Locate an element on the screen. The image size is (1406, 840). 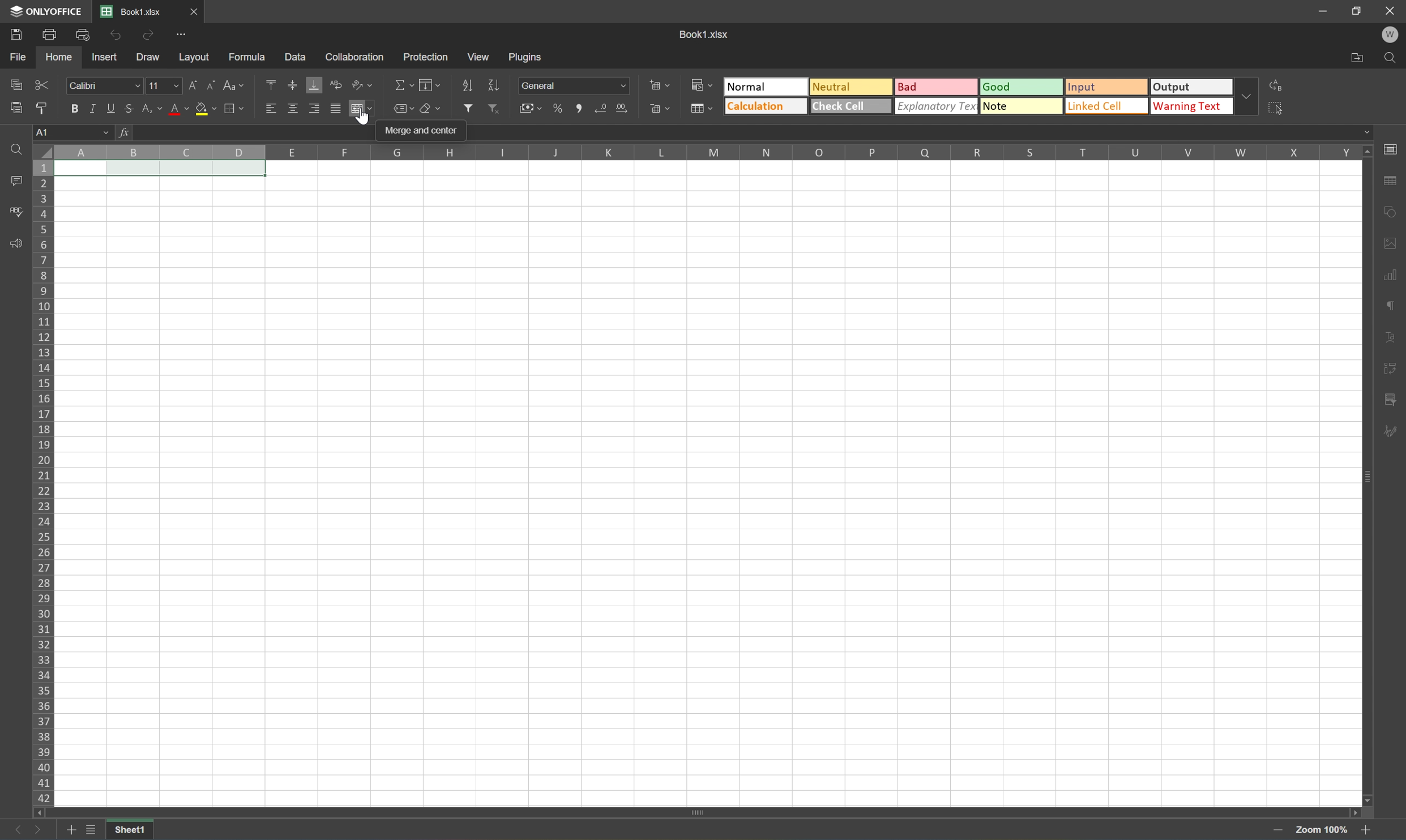
Align top is located at coordinates (271, 83).